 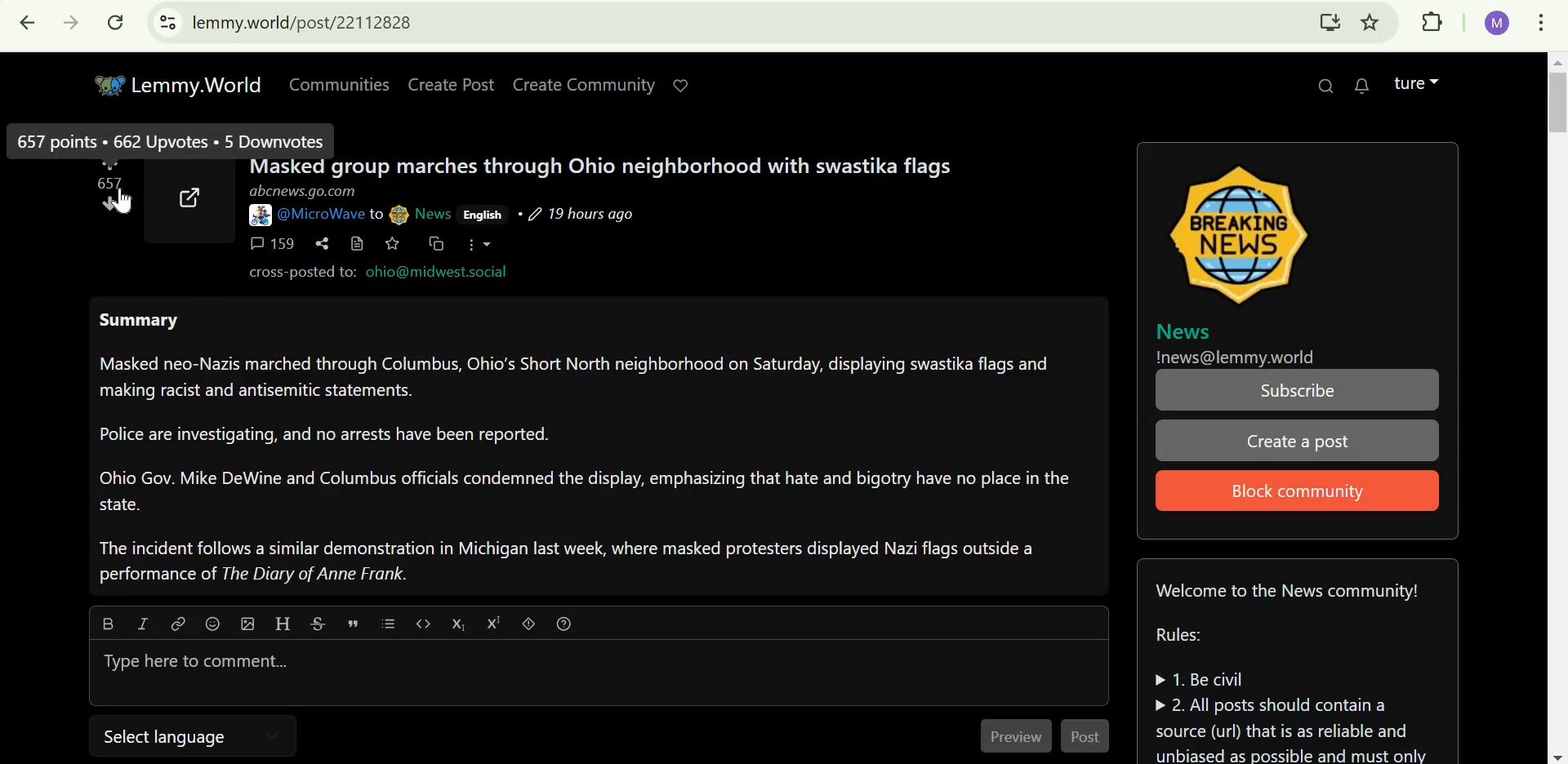 What do you see at coordinates (327, 24) in the screenshot?
I see `lemmy.world/post/22112828` at bounding box center [327, 24].